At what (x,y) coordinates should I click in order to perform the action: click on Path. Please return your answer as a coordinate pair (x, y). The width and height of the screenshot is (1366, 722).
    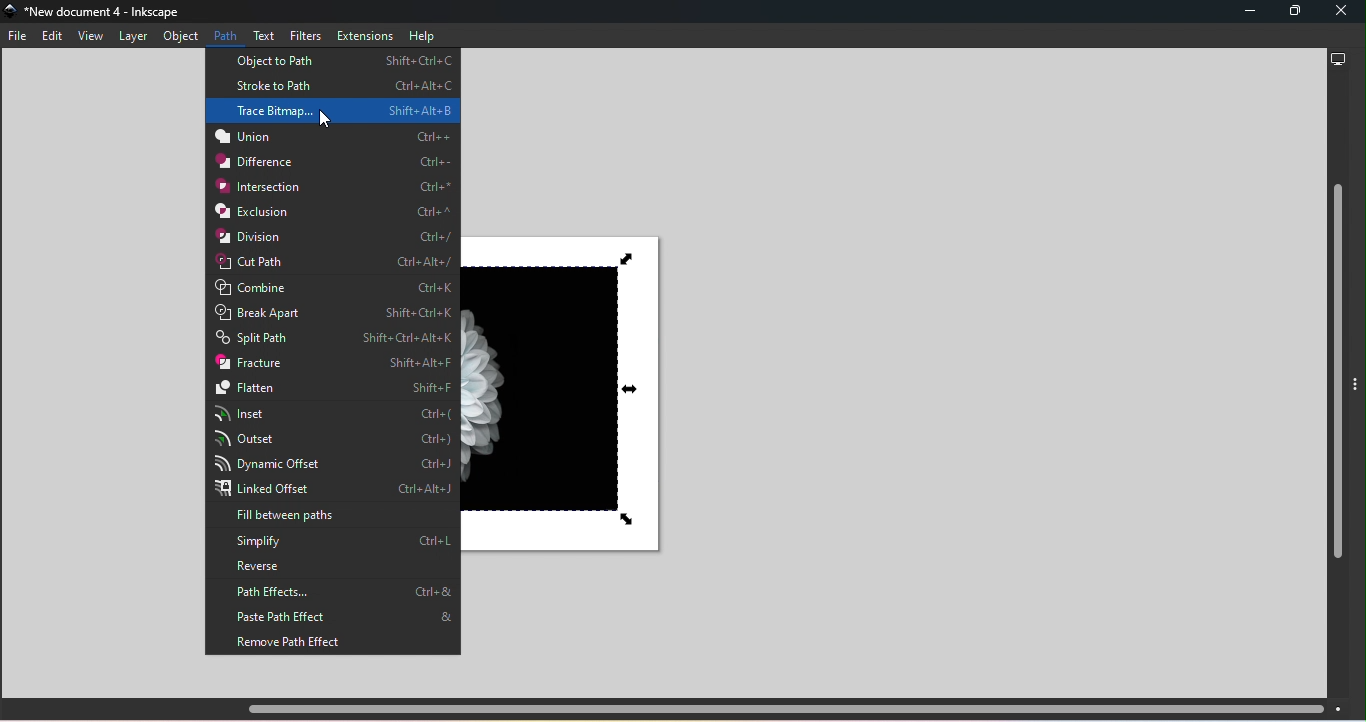
    Looking at the image, I should click on (225, 35).